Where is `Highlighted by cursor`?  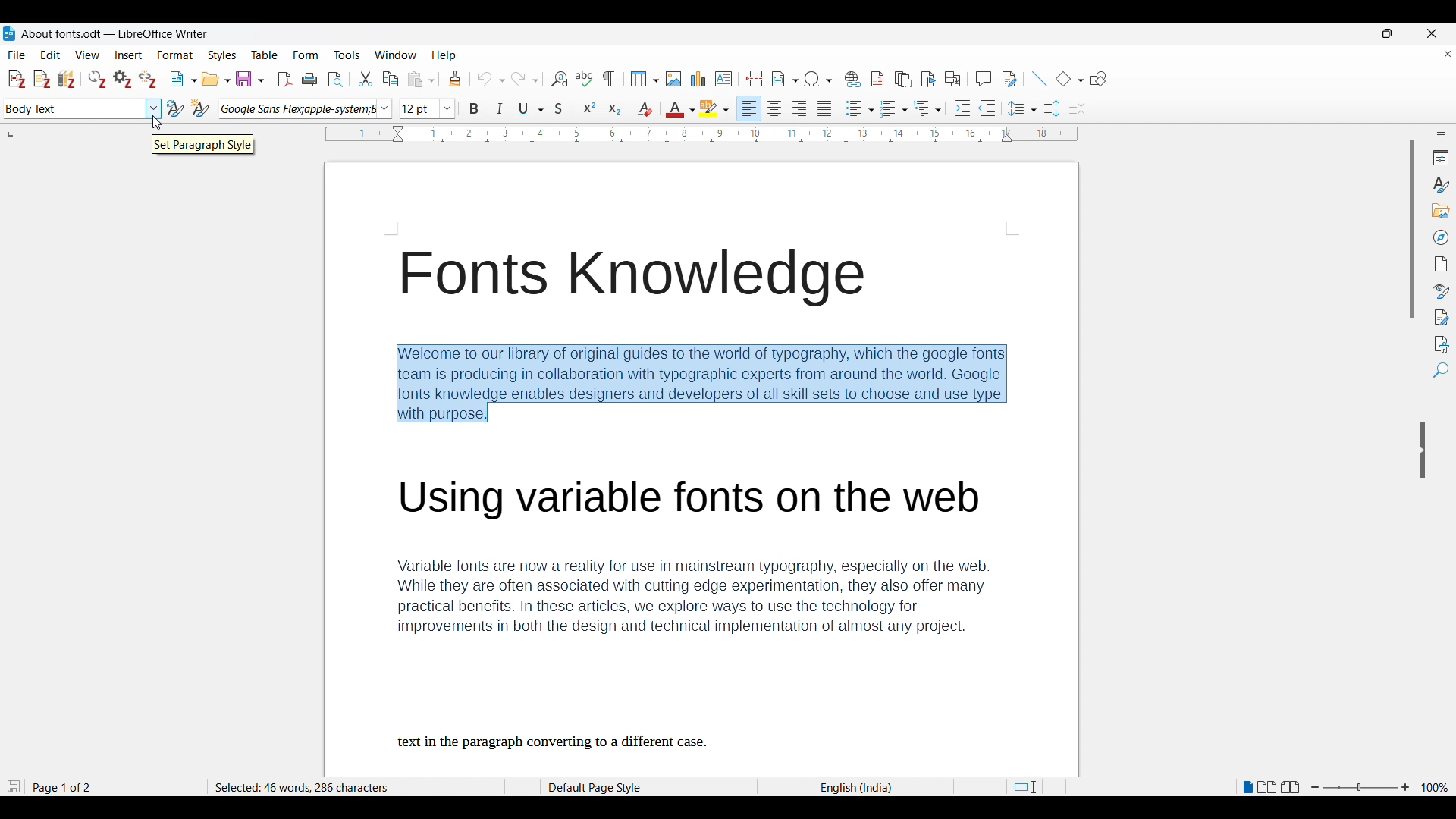
Highlighted by cursor is located at coordinates (153, 108).